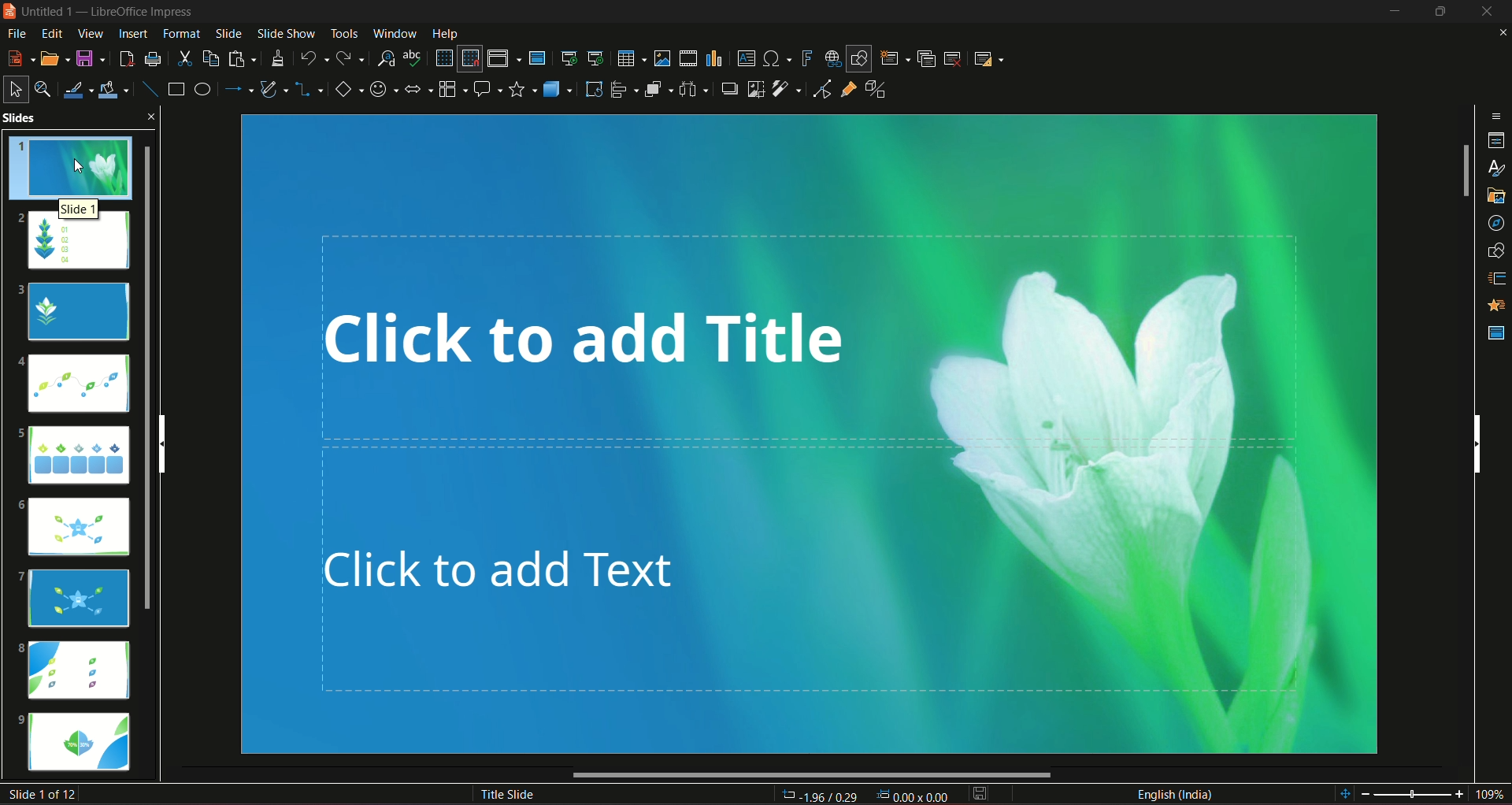  I want to click on slide 5, so click(73, 453).